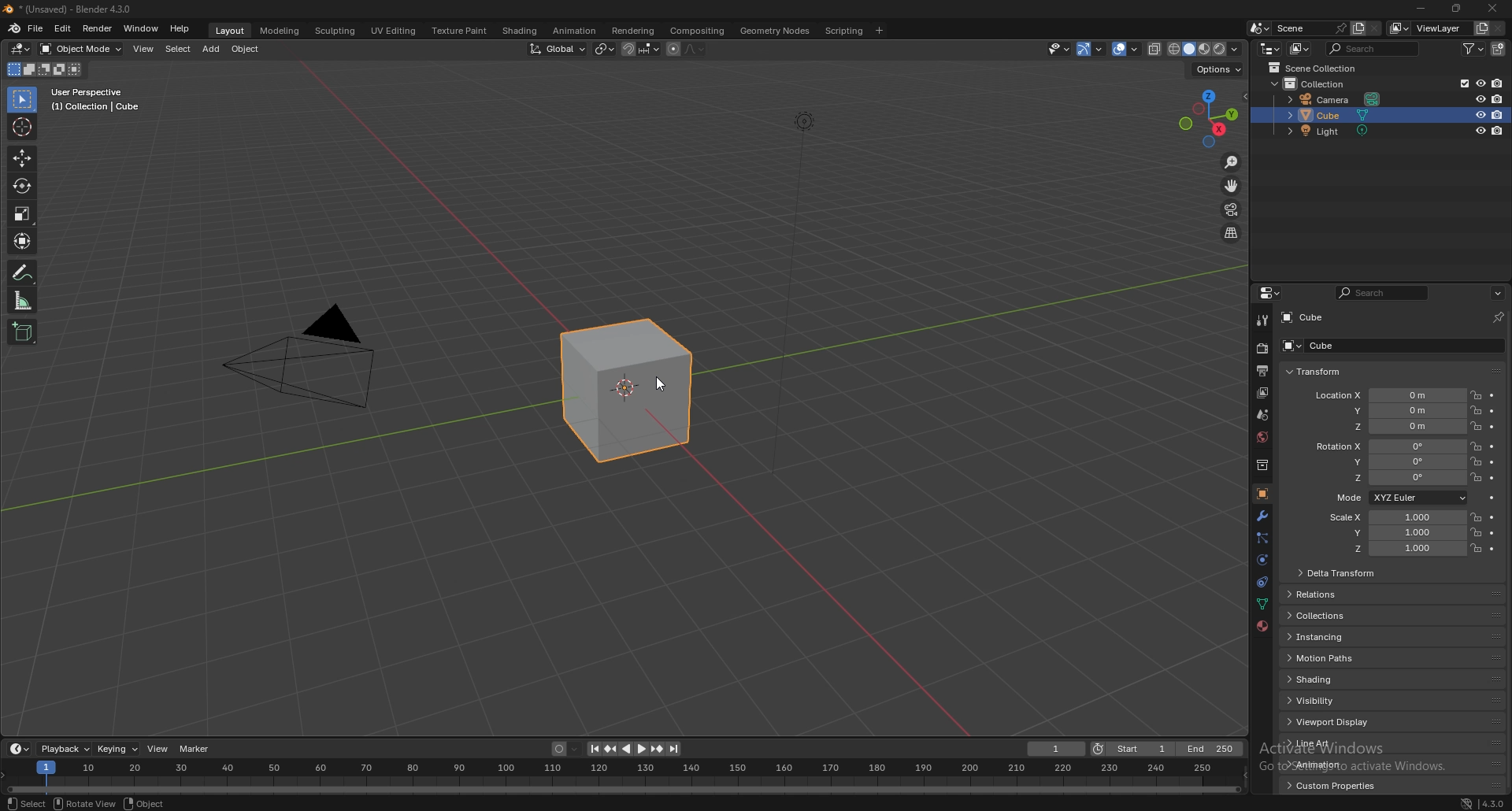 This screenshot has height=811, width=1512. What do you see at coordinates (1394, 518) in the screenshot?
I see `scale x` at bounding box center [1394, 518].